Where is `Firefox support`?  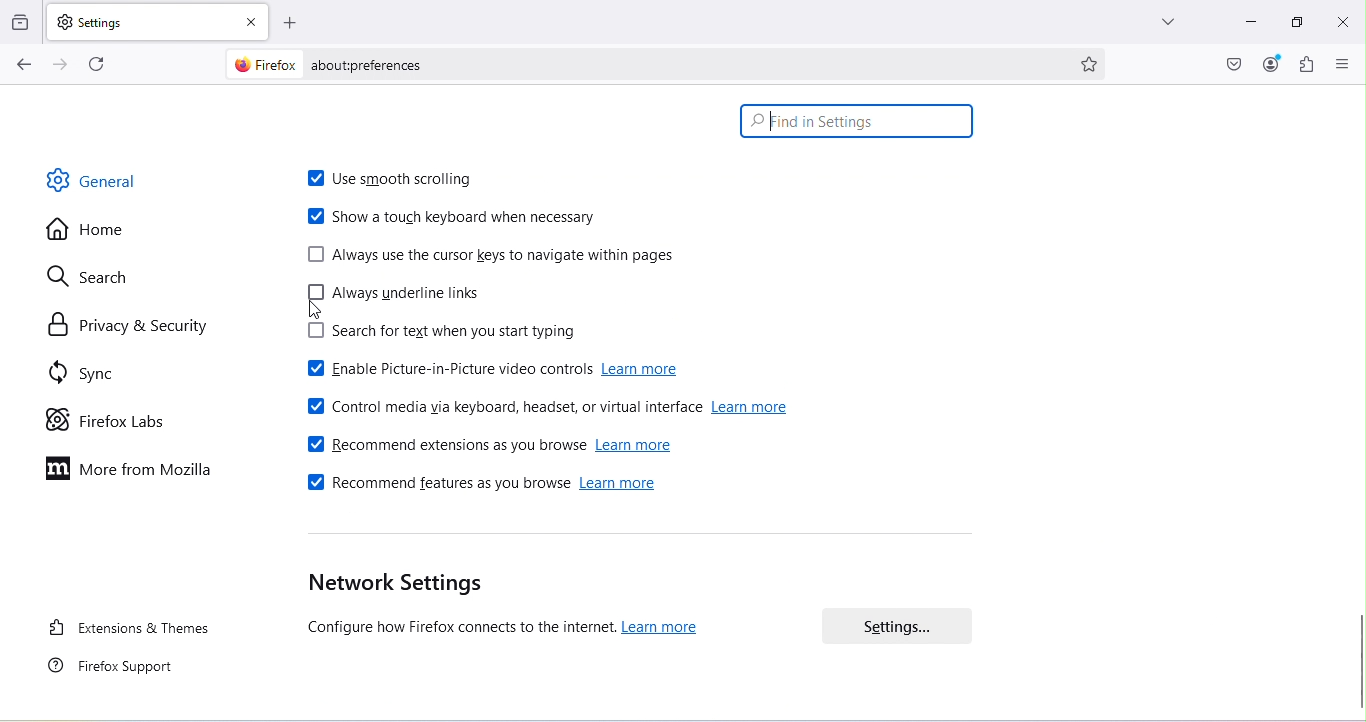
Firefox support is located at coordinates (120, 672).